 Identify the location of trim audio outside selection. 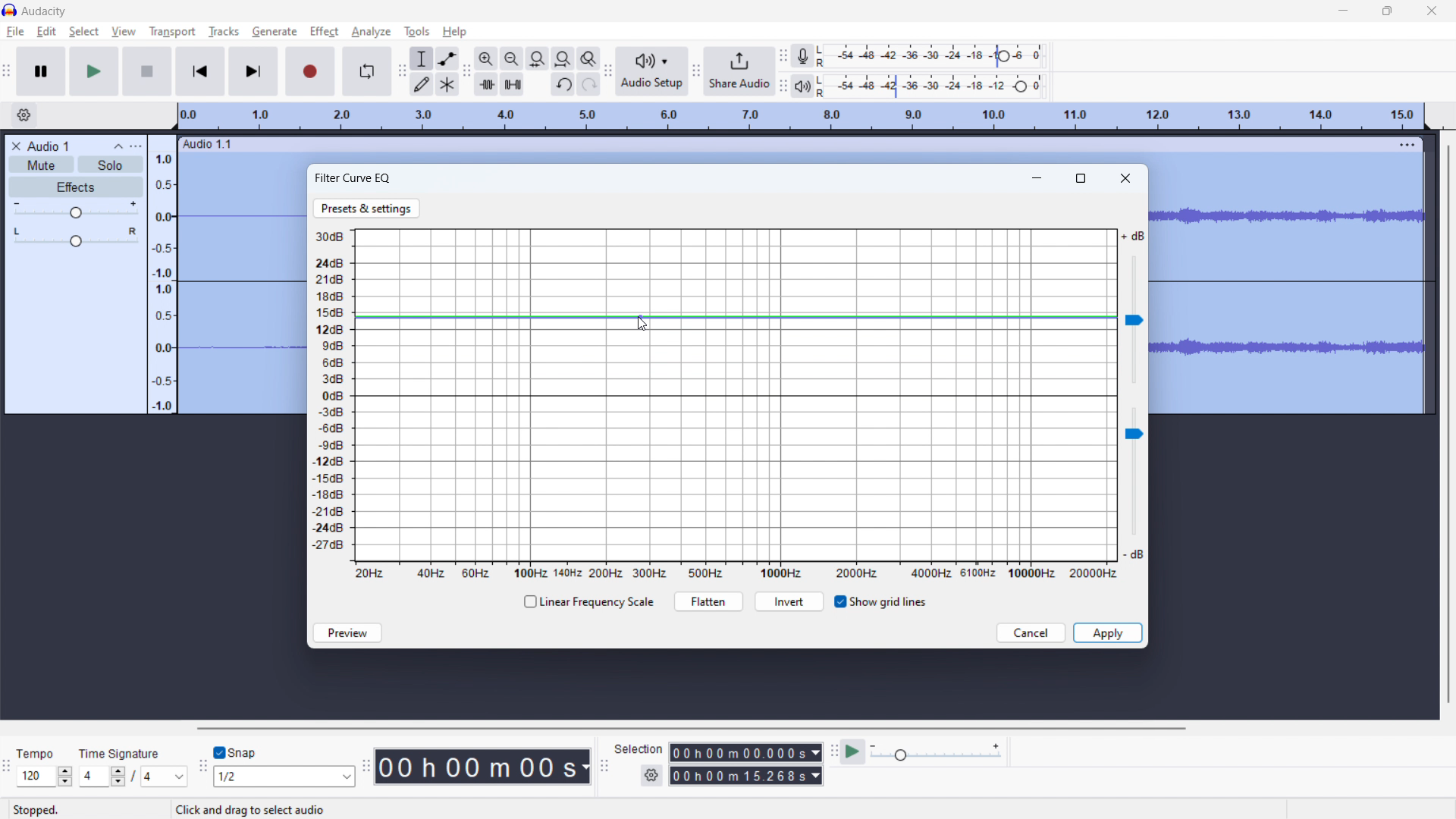
(486, 83).